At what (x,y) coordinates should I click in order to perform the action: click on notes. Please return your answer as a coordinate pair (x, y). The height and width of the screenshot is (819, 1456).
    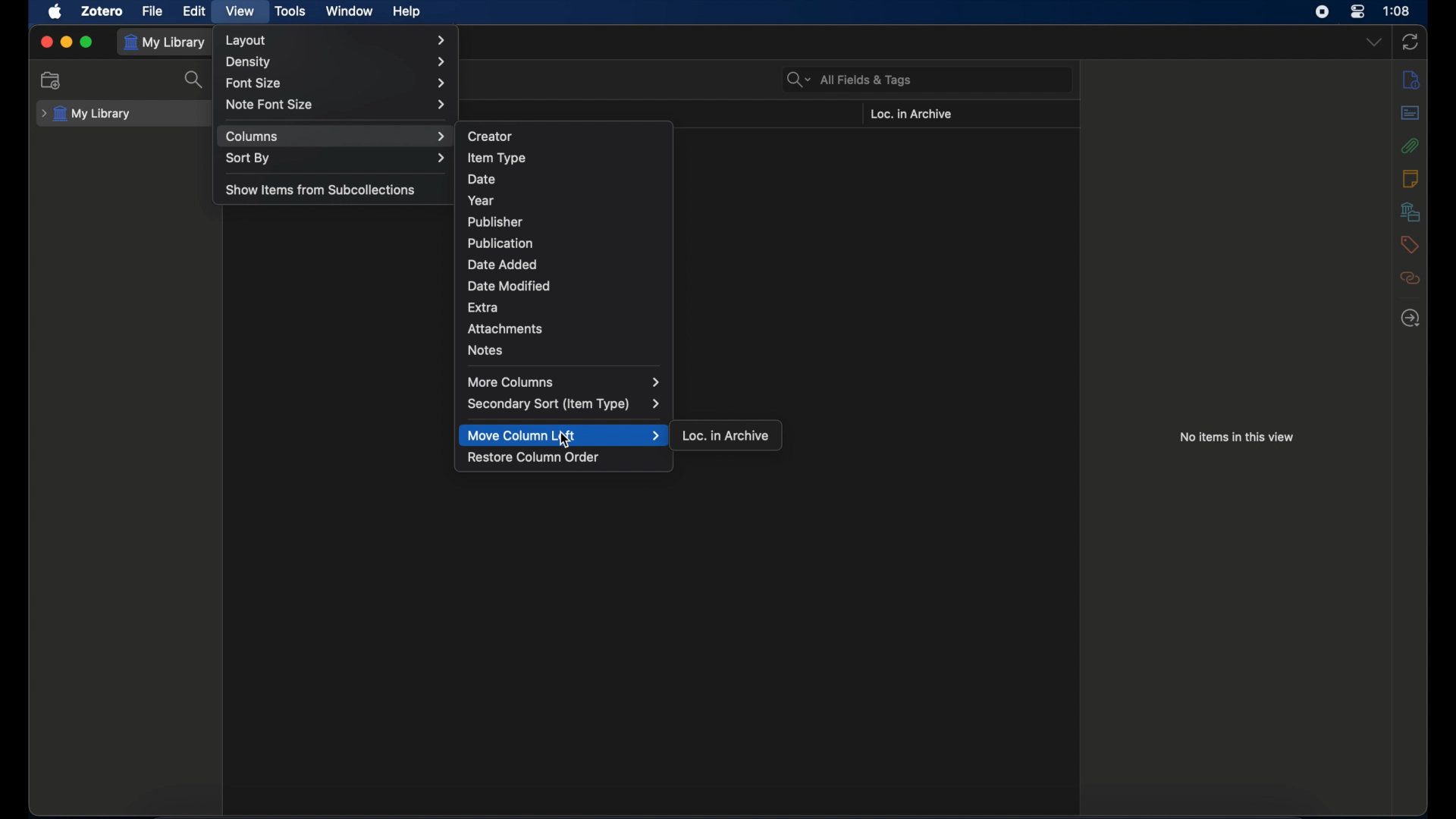
    Looking at the image, I should click on (1410, 178).